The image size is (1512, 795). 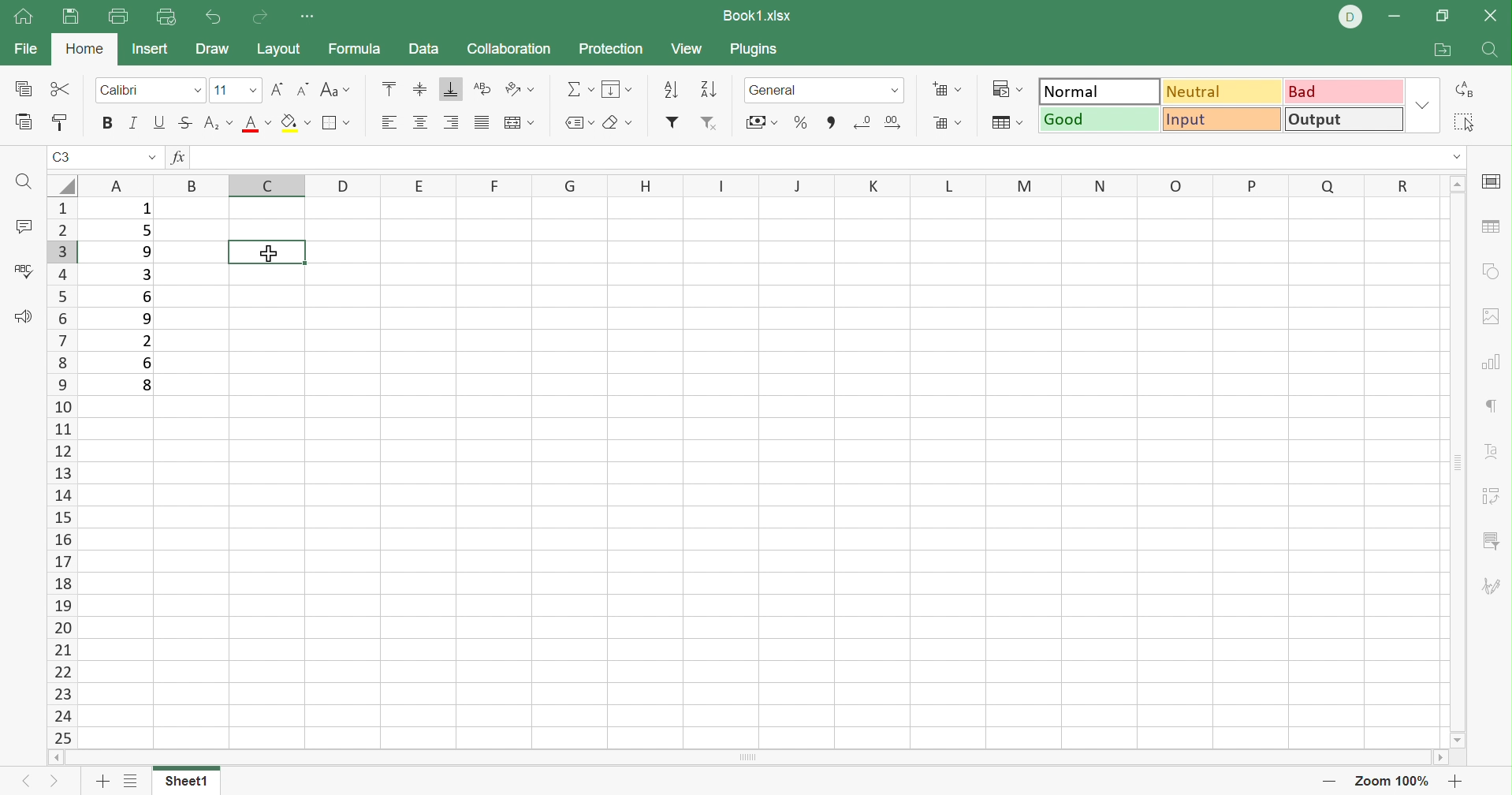 I want to click on 6, so click(x=151, y=364).